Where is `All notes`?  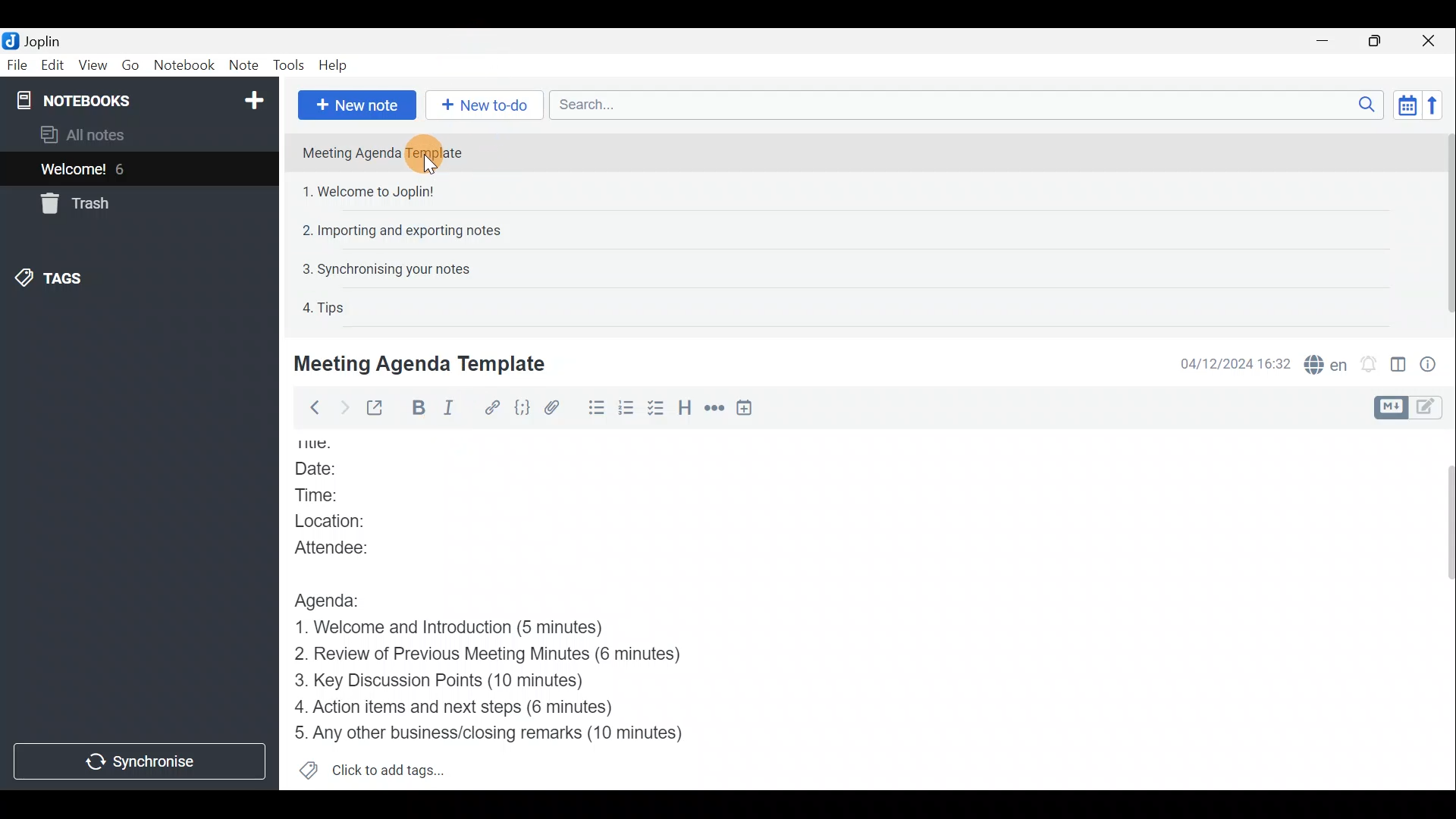
All notes is located at coordinates (108, 134).